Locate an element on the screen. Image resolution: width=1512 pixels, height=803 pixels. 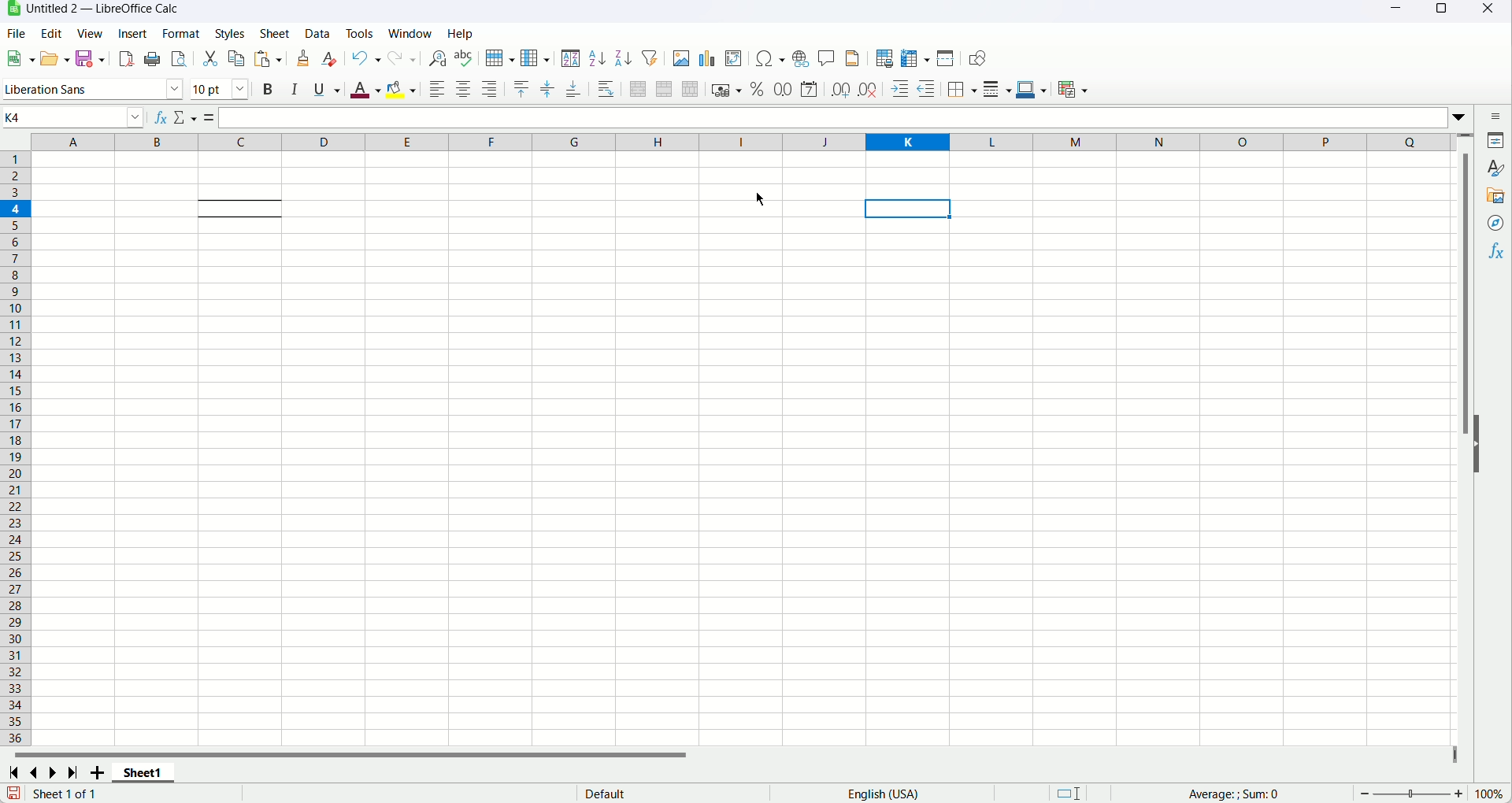
Format as percent is located at coordinates (758, 90).